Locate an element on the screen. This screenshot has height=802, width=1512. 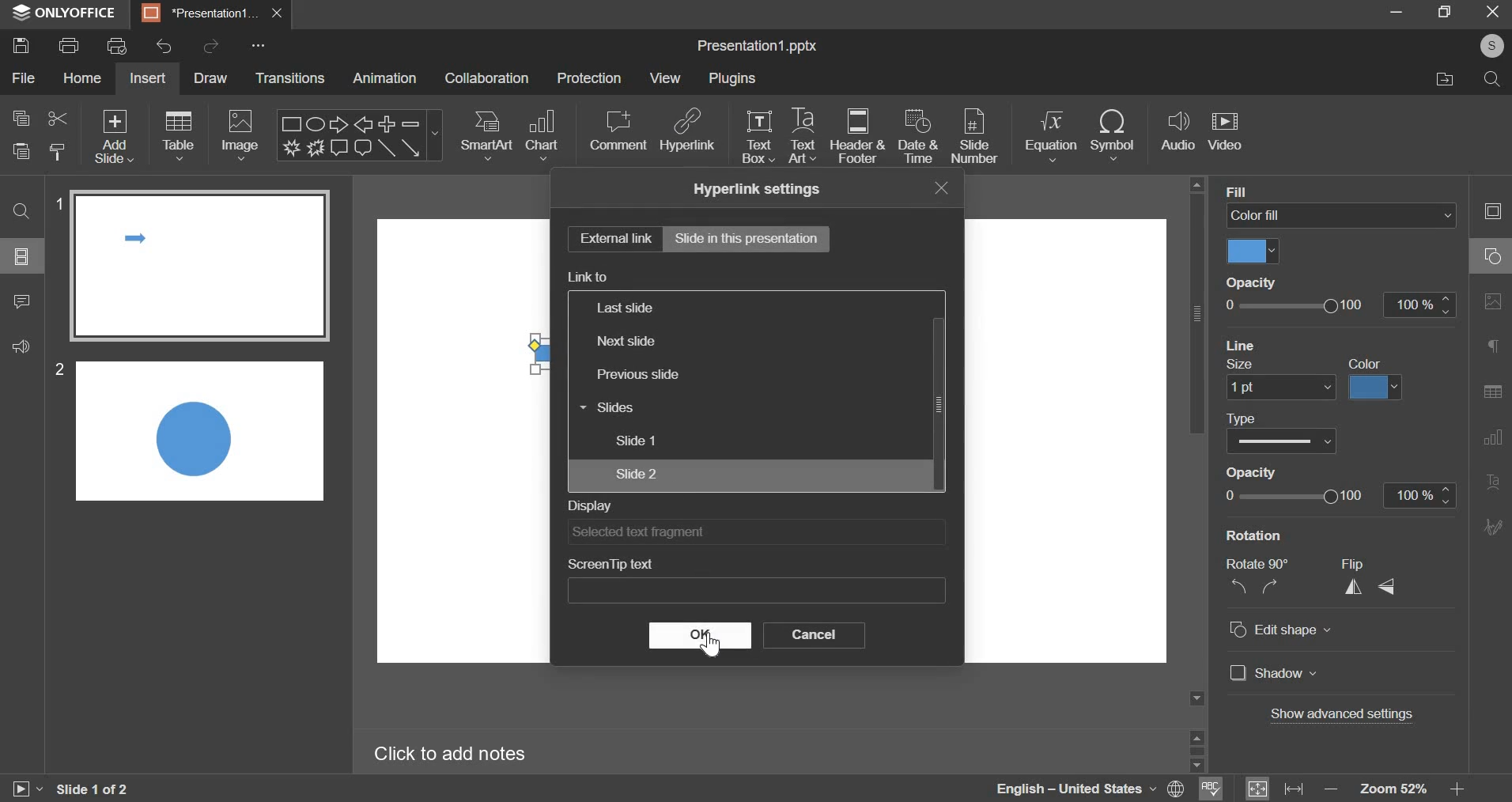
next slide is located at coordinates (626, 342).